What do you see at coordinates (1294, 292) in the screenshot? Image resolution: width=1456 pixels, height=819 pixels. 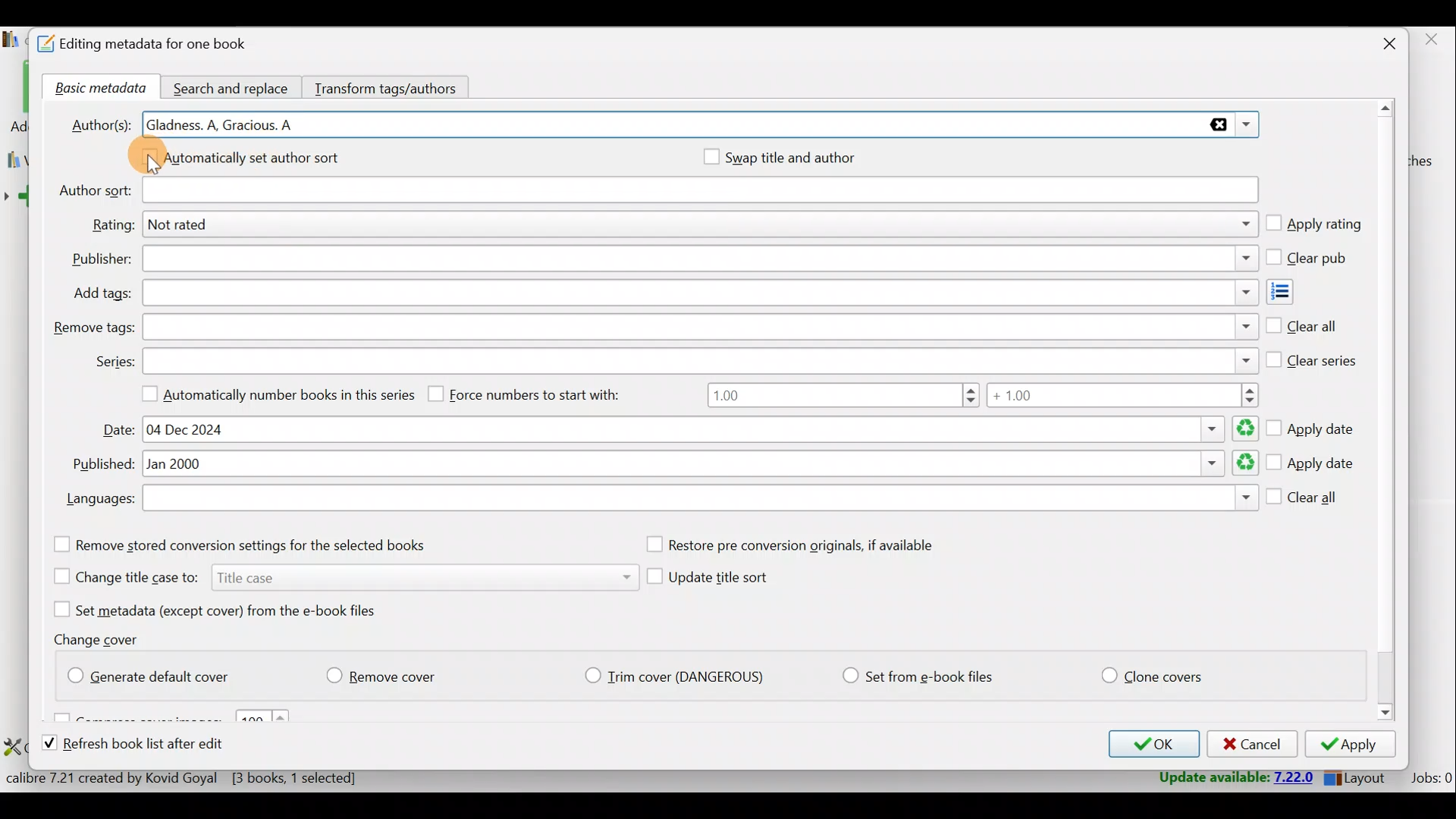 I see `Add tags` at bounding box center [1294, 292].